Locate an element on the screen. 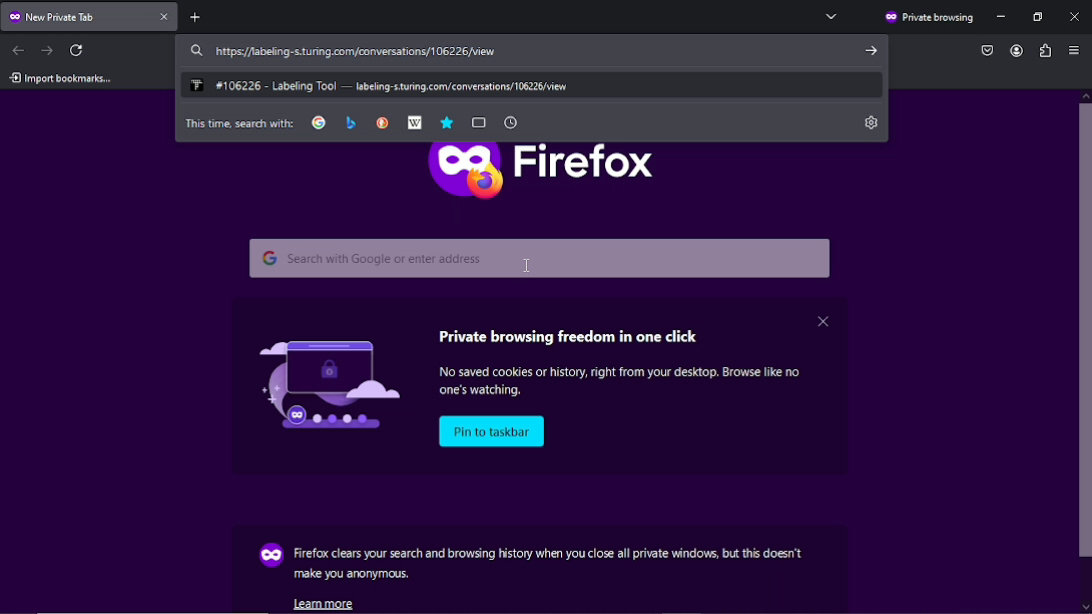 This screenshot has width=1092, height=614. go back is located at coordinates (19, 49).